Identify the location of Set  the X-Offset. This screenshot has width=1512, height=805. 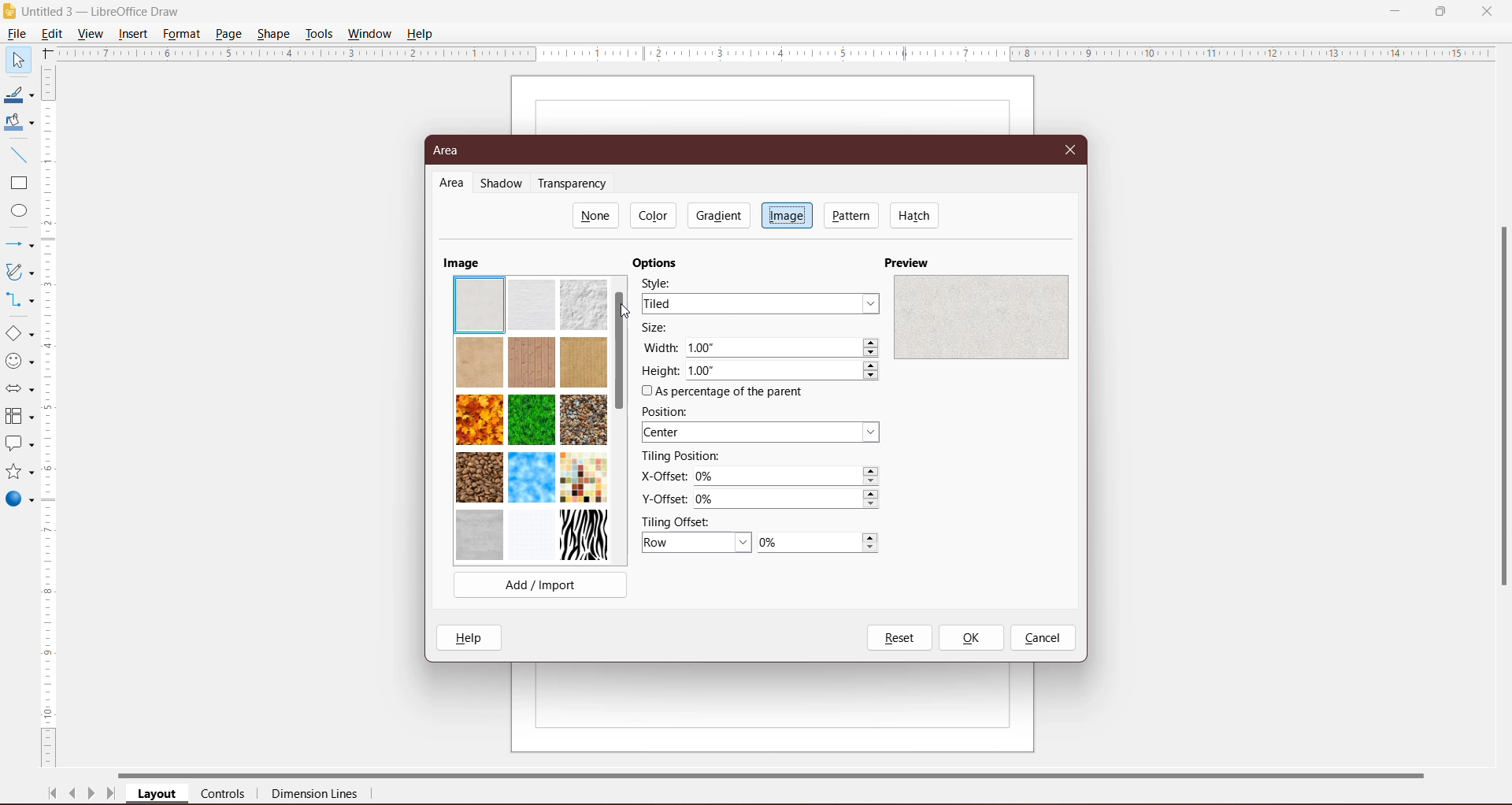
(788, 477).